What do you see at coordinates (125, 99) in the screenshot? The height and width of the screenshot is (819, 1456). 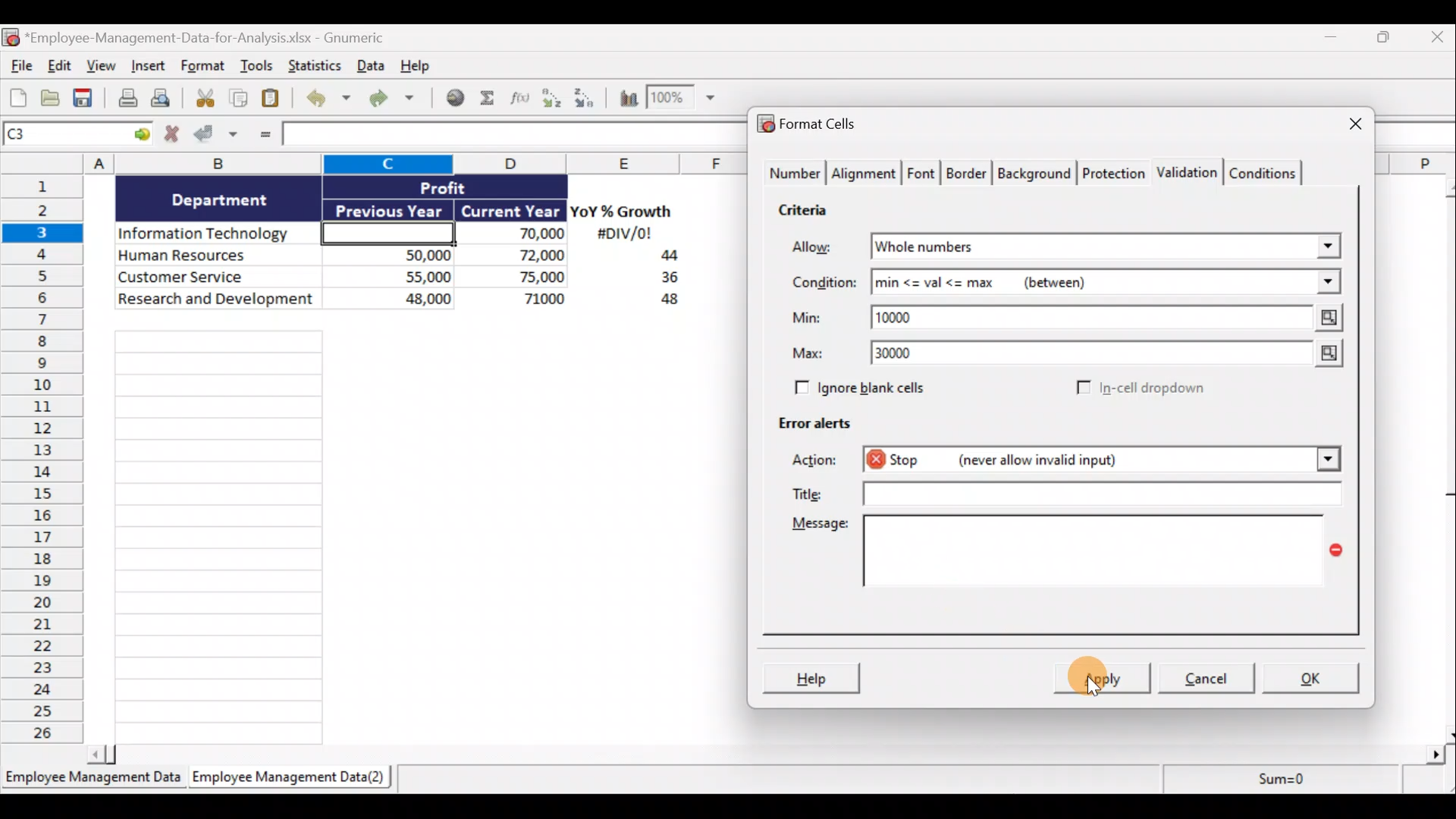 I see `Print current file` at bounding box center [125, 99].